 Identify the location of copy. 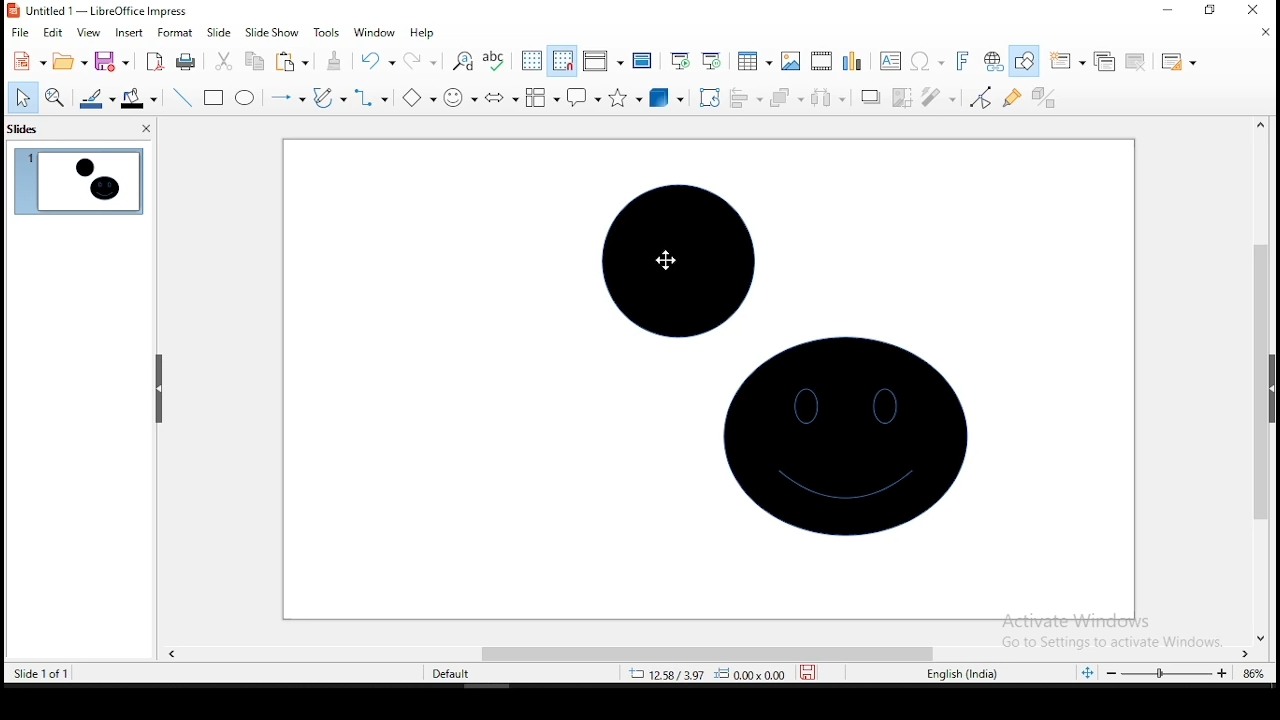
(253, 62).